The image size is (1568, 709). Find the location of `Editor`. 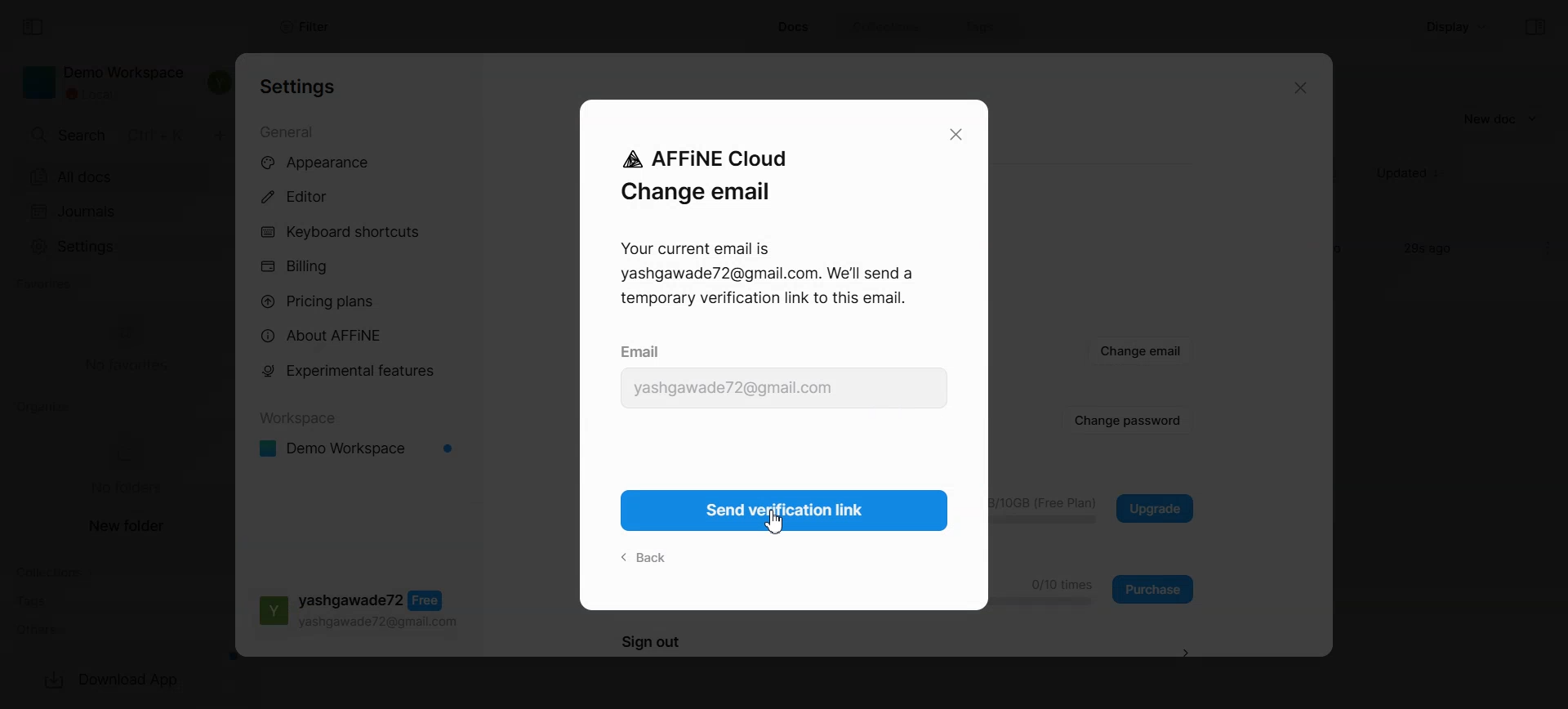

Editor is located at coordinates (360, 198).